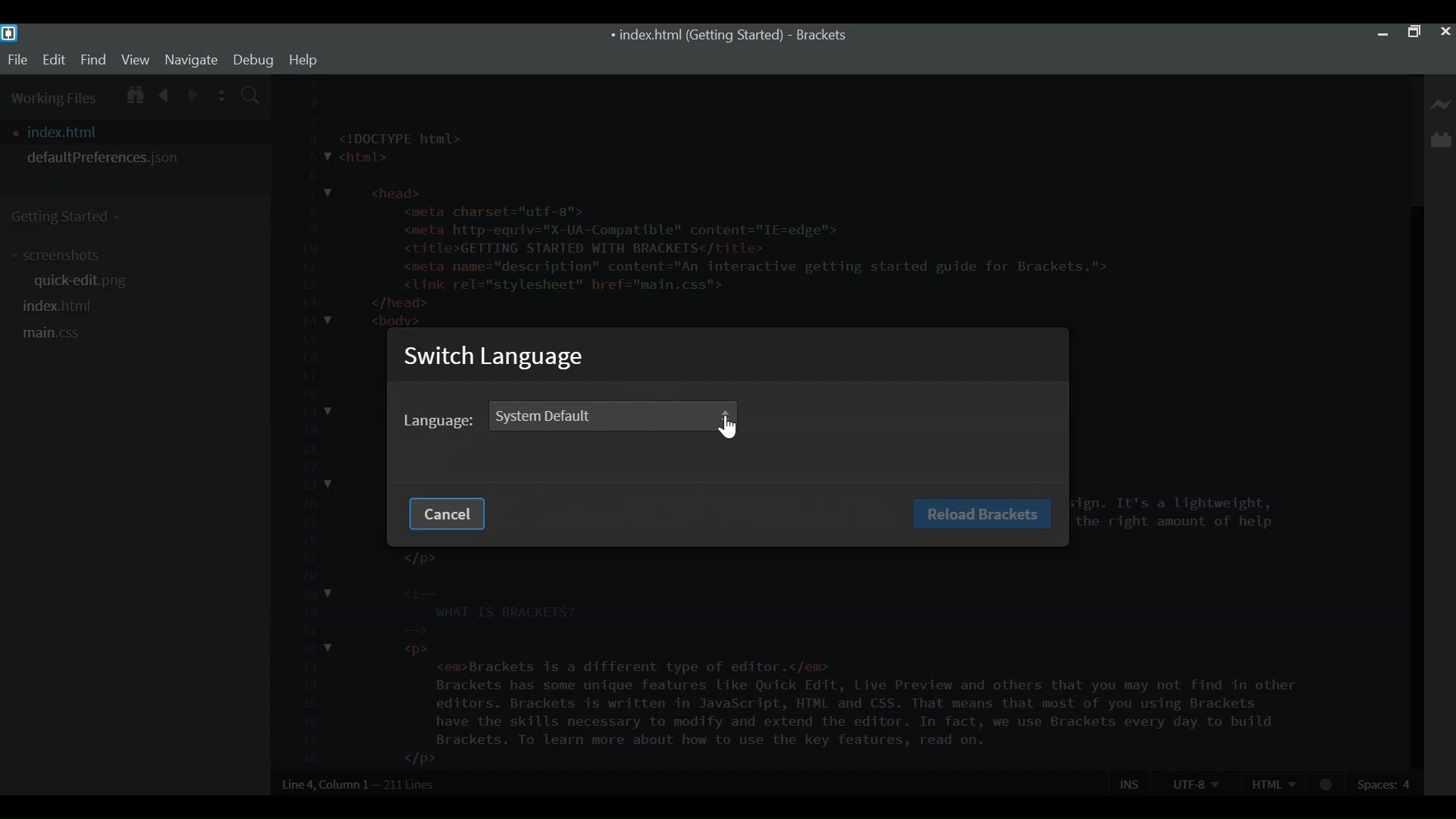 The height and width of the screenshot is (819, 1456). What do you see at coordinates (222, 96) in the screenshot?
I see `Split the File Vertically or Horizontally` at bounding box center [222, 96].